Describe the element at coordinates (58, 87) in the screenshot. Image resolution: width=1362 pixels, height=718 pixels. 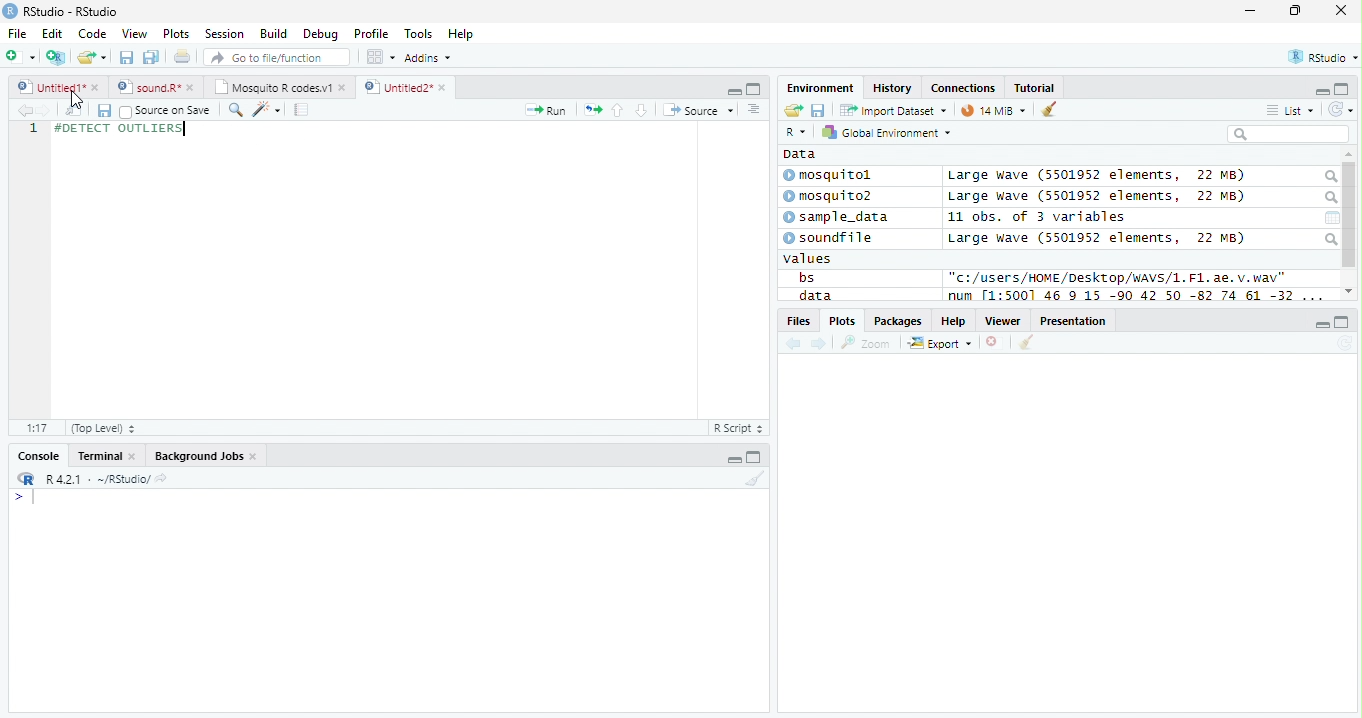
I see `Untitied1*` at that location.